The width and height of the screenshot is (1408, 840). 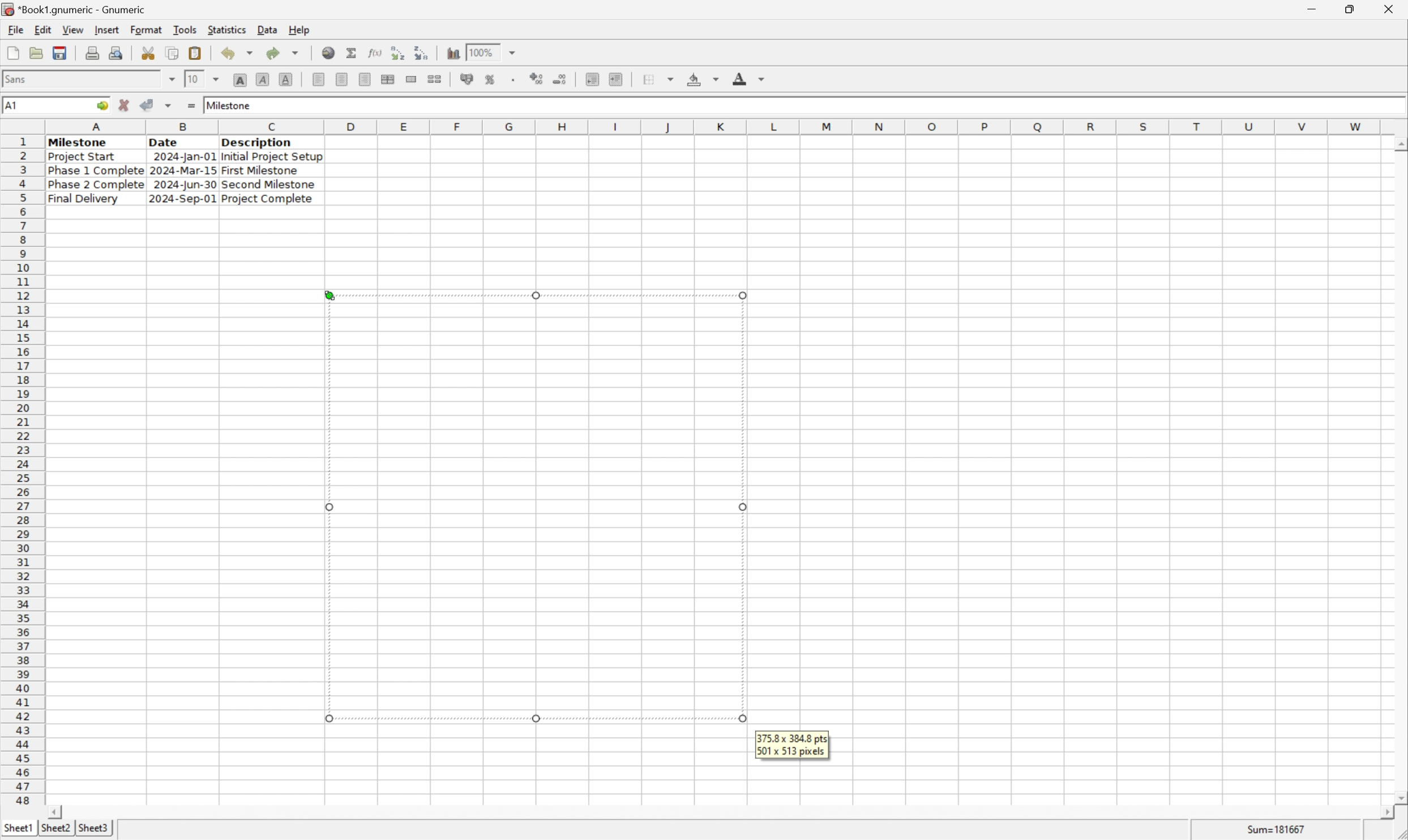 I want to click on restore down, so click(x=1354, y=9).